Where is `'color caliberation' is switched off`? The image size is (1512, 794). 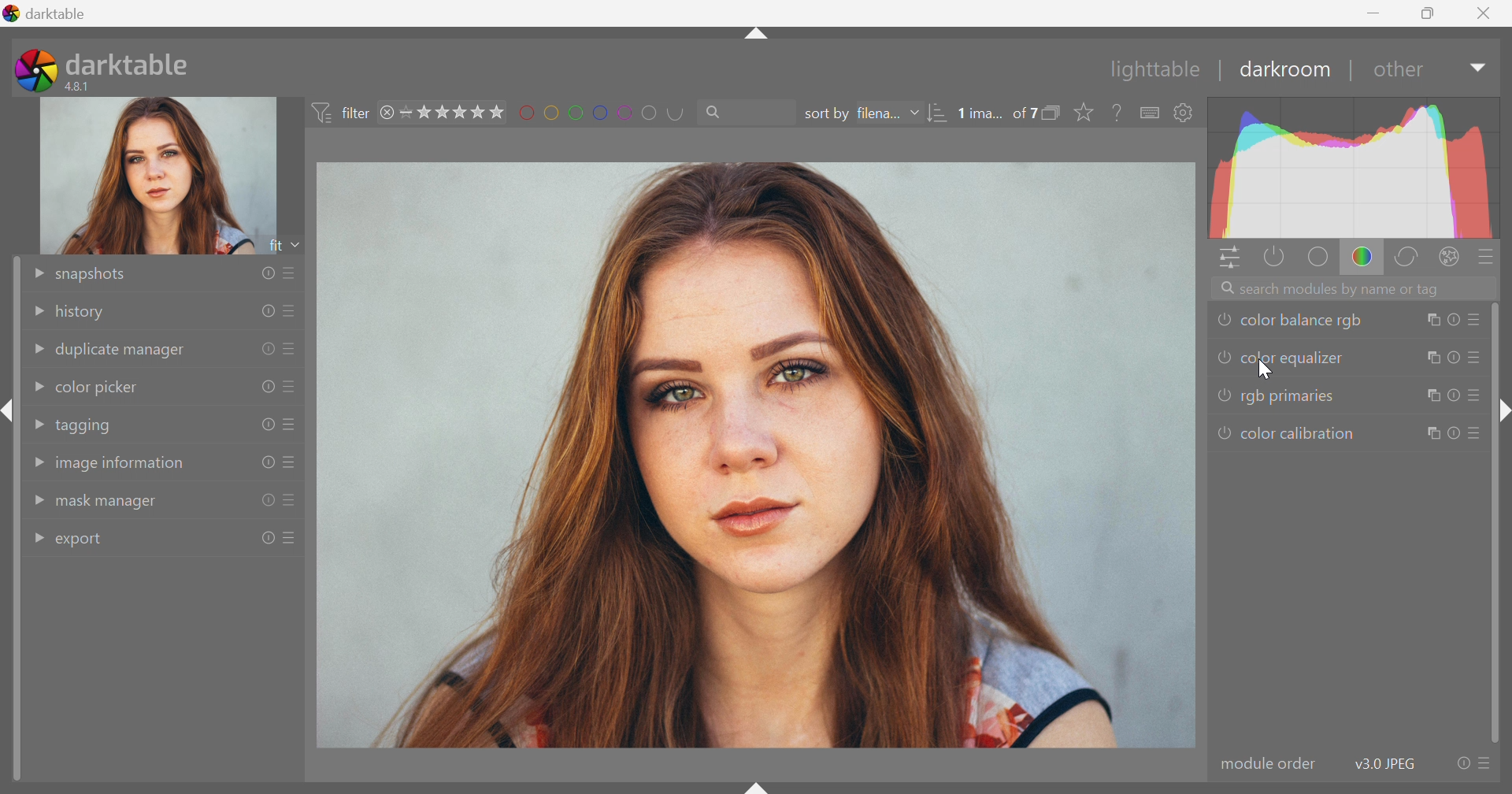
'color caliberation' is switched off is located at coordinates (1223, 433).